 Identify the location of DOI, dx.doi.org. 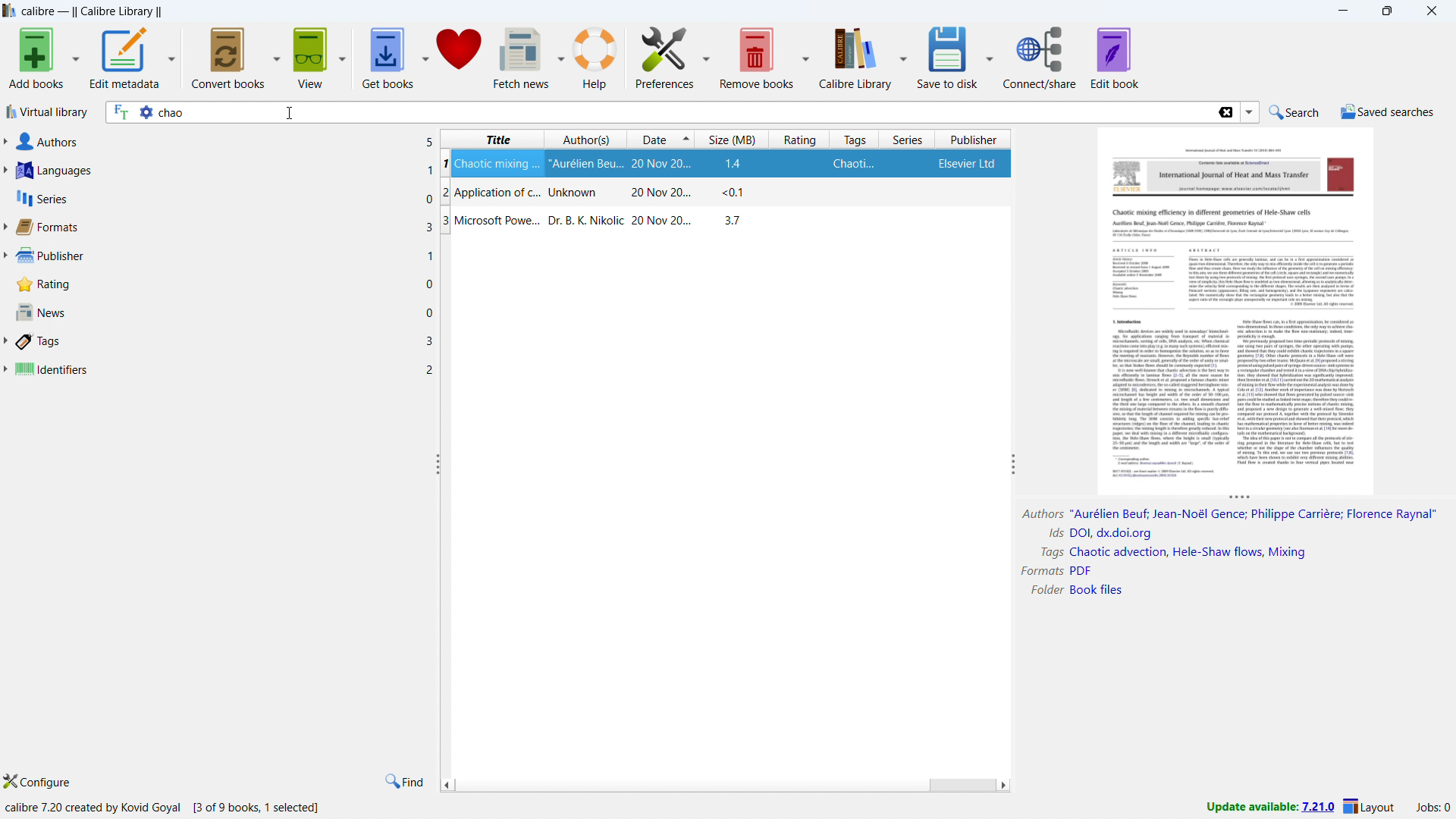
(1111, 533).